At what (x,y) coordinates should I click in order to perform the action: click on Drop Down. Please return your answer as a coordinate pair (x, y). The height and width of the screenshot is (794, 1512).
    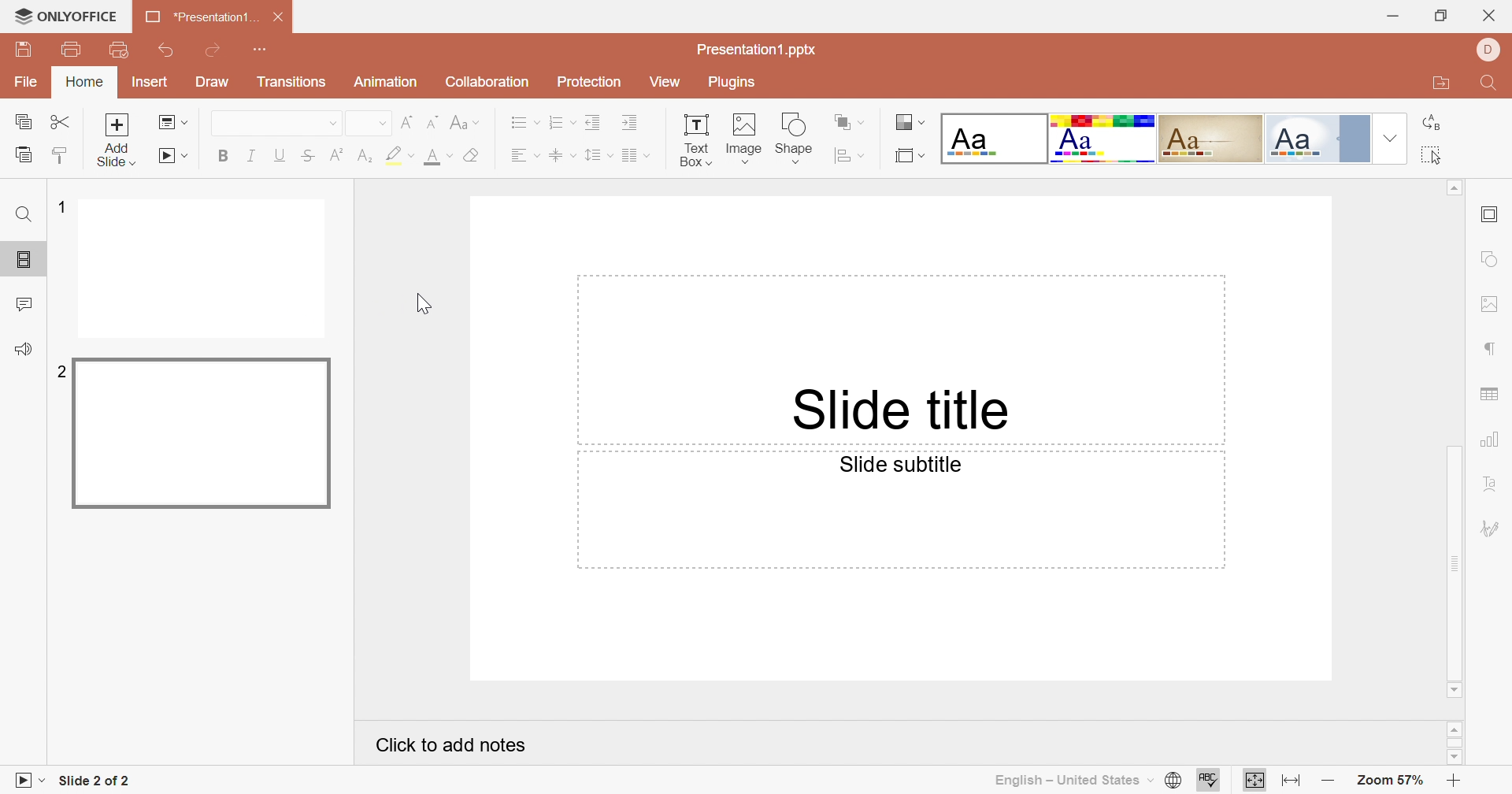
    Looking at the image, I should click on (381, 122).